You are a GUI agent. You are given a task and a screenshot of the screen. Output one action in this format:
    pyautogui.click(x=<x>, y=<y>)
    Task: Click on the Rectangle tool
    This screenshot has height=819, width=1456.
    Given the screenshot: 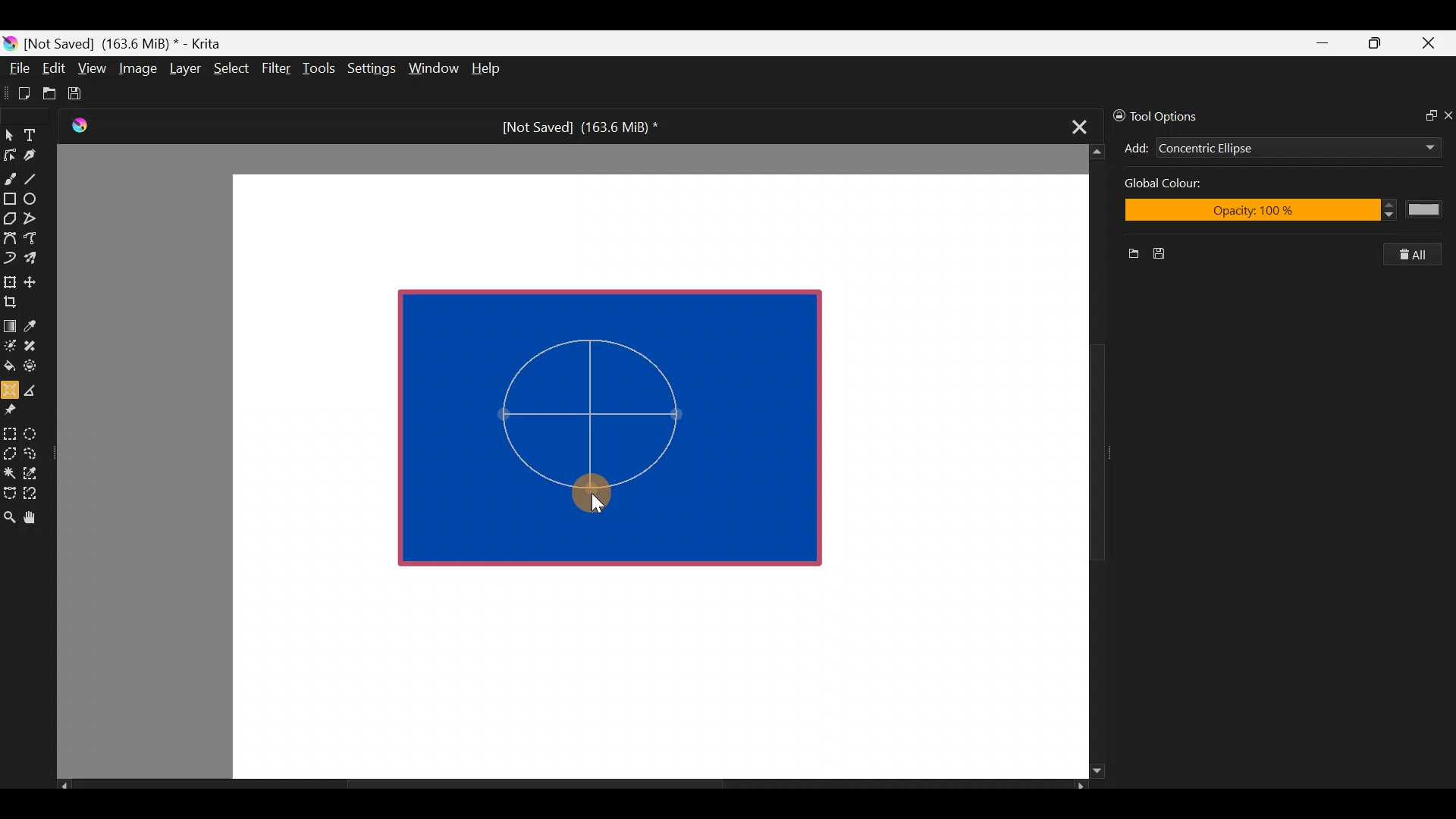 What is the action you would take?
    pyautogui.click(x=10, y=200)
    